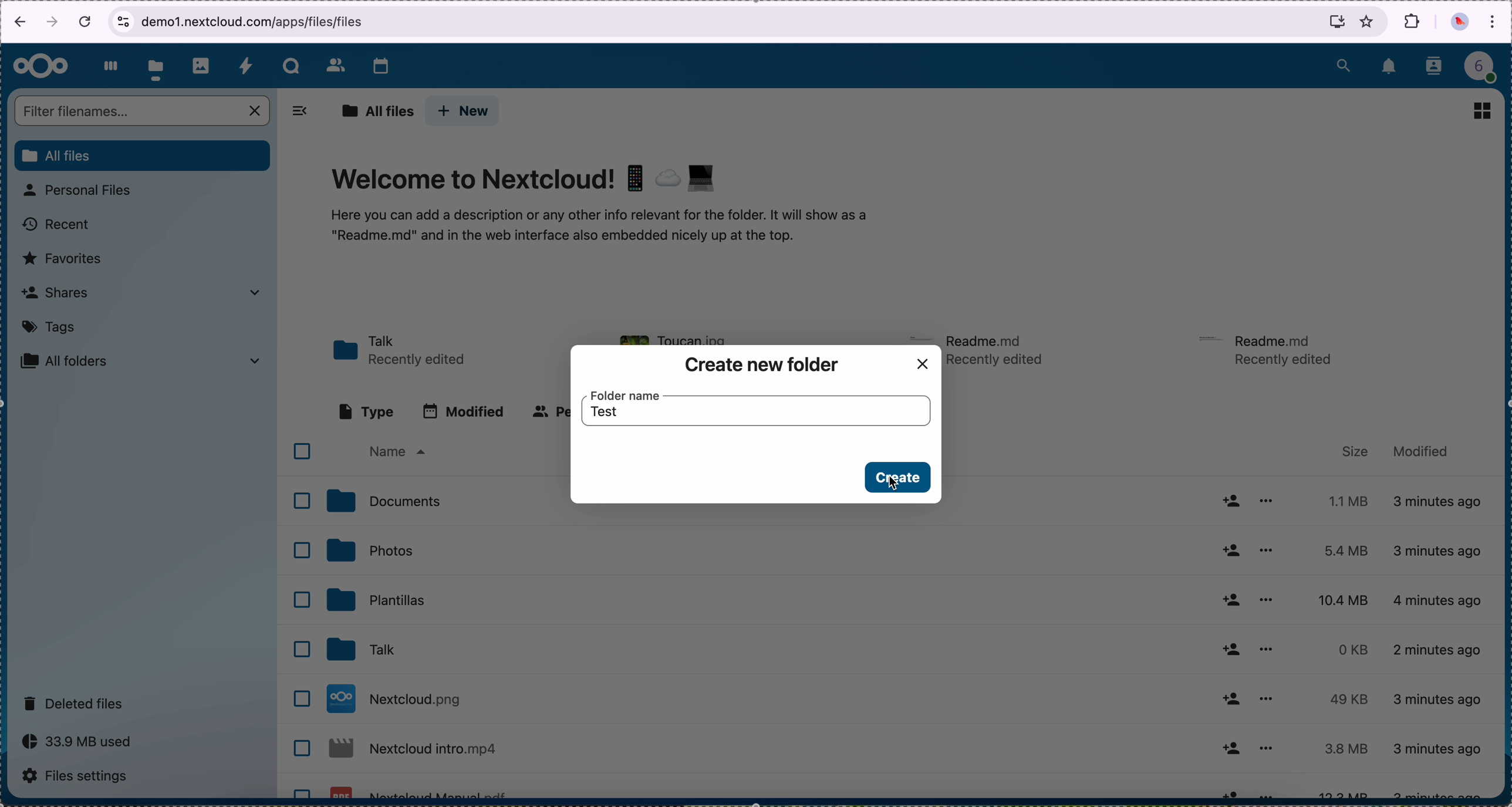 The width and height of the screenshot is (1512, 807). What do you see at coordinates (158, 66) in the screenshot?
I see `click on files button` at bounding box center [158, 66].